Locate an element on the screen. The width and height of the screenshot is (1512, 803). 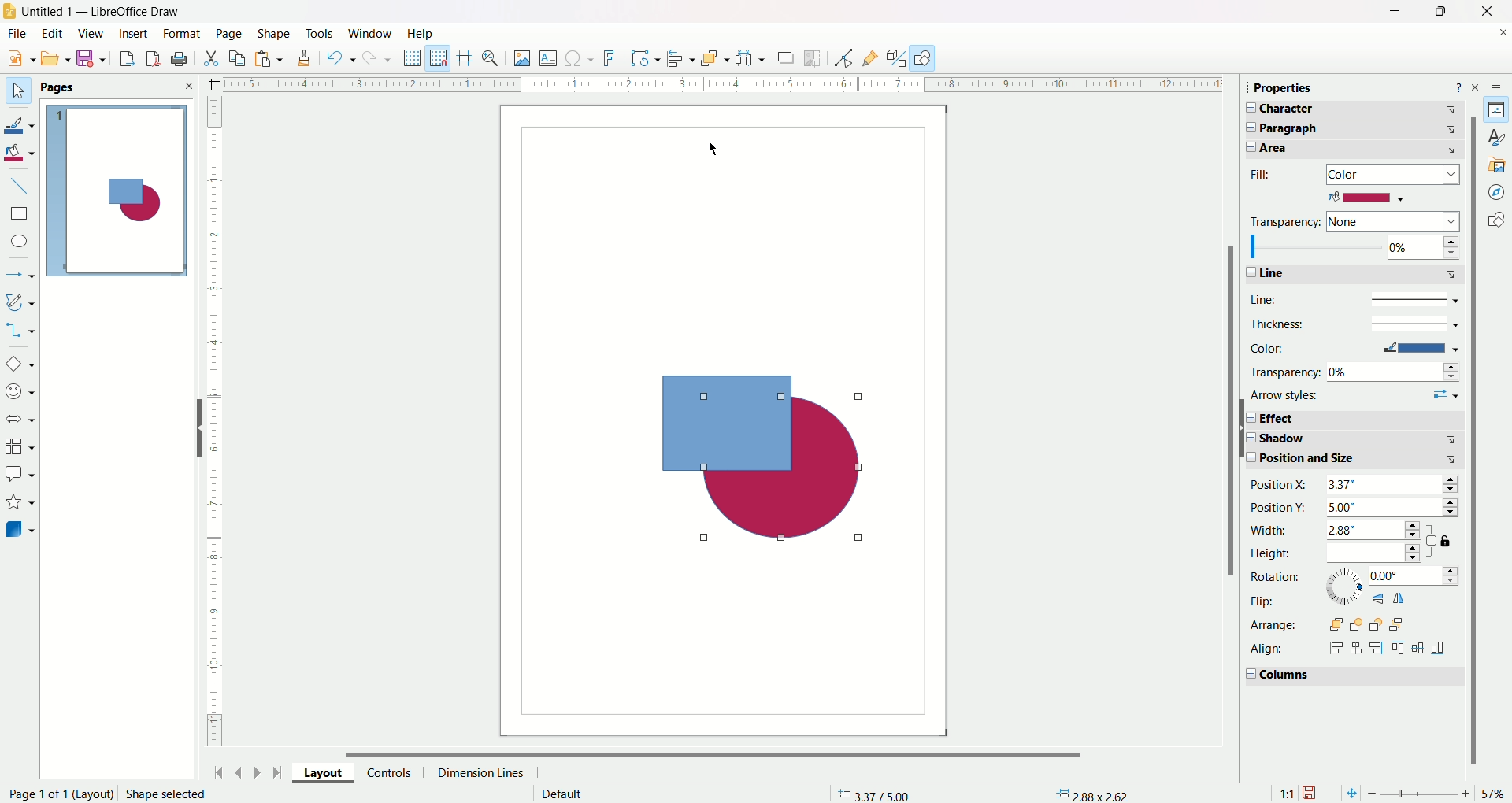
previous page is located at coordinates (240, 770).